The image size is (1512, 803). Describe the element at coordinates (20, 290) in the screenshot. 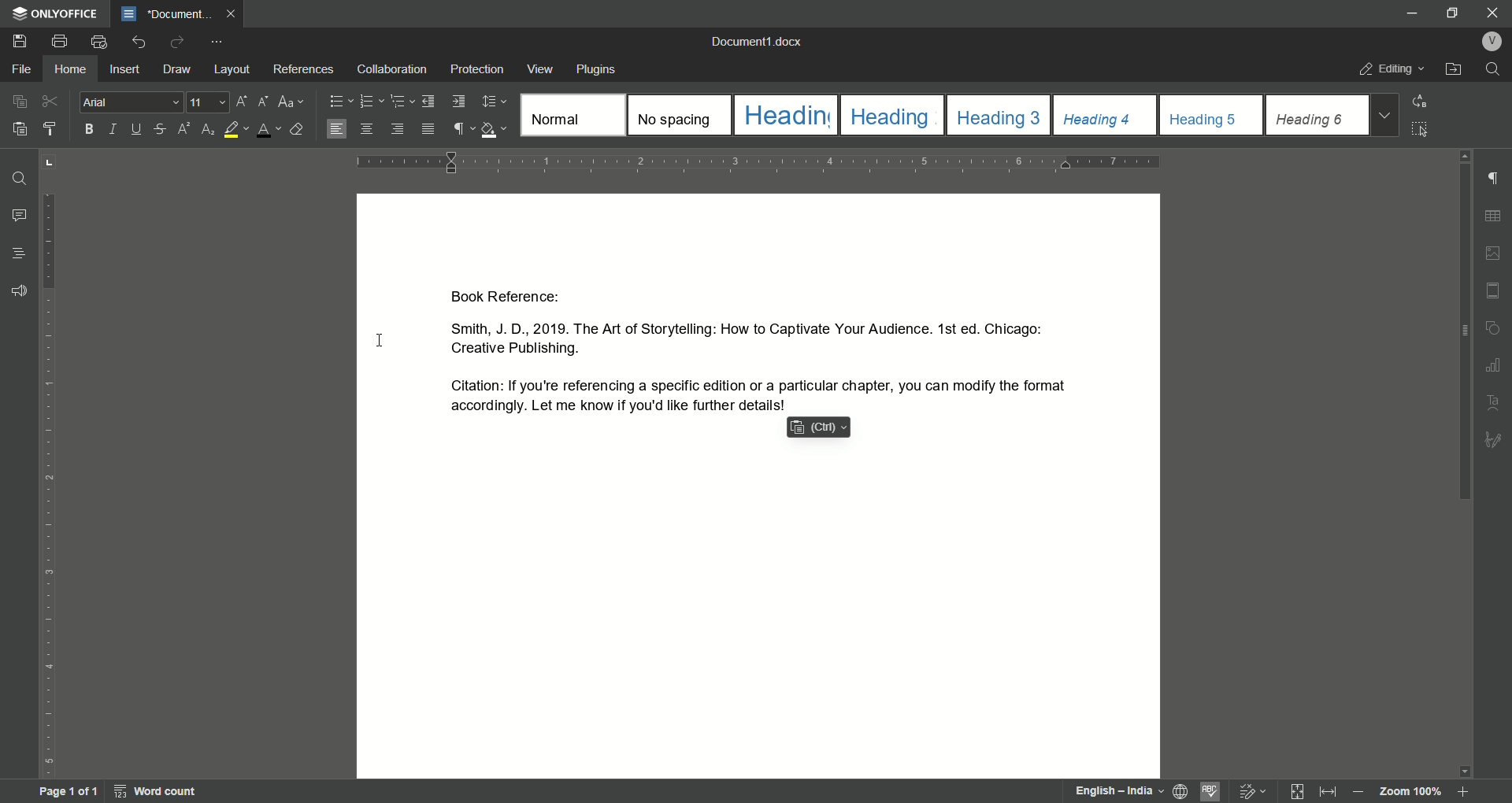

I see `feedback & support` at that location.